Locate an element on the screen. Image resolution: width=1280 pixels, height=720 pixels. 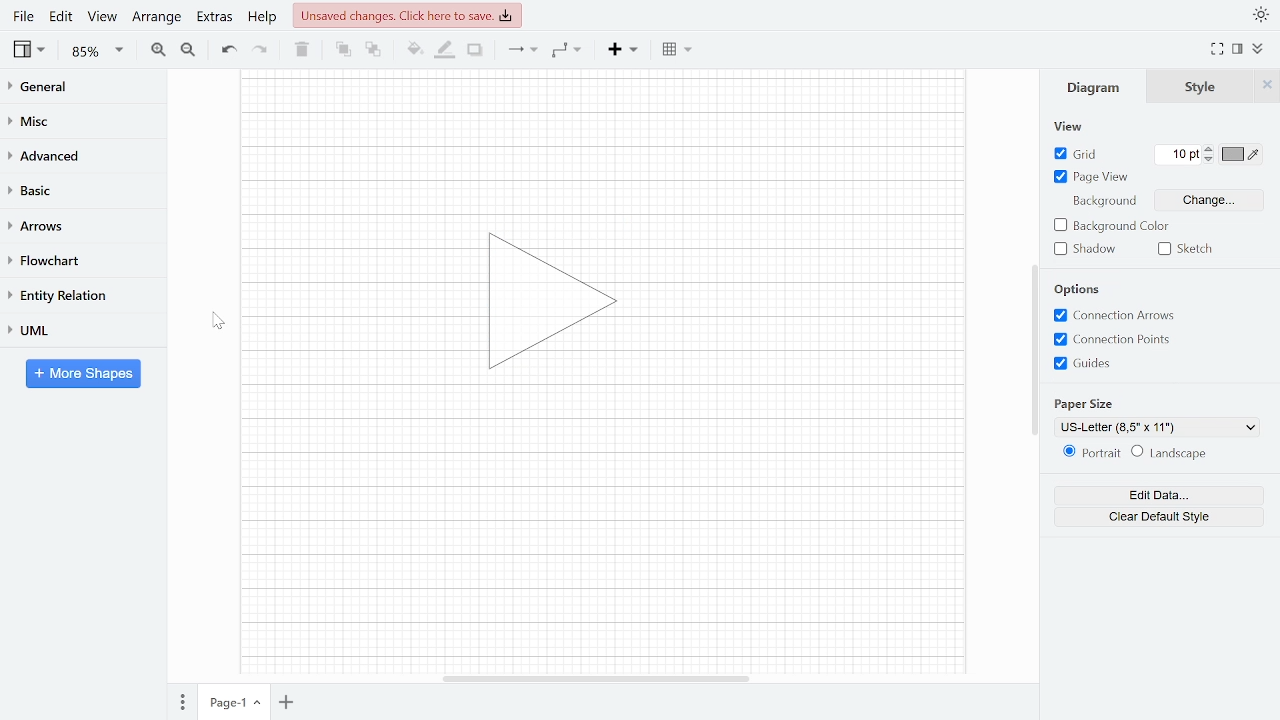
Collapse is located at coordinates (1265, 51).